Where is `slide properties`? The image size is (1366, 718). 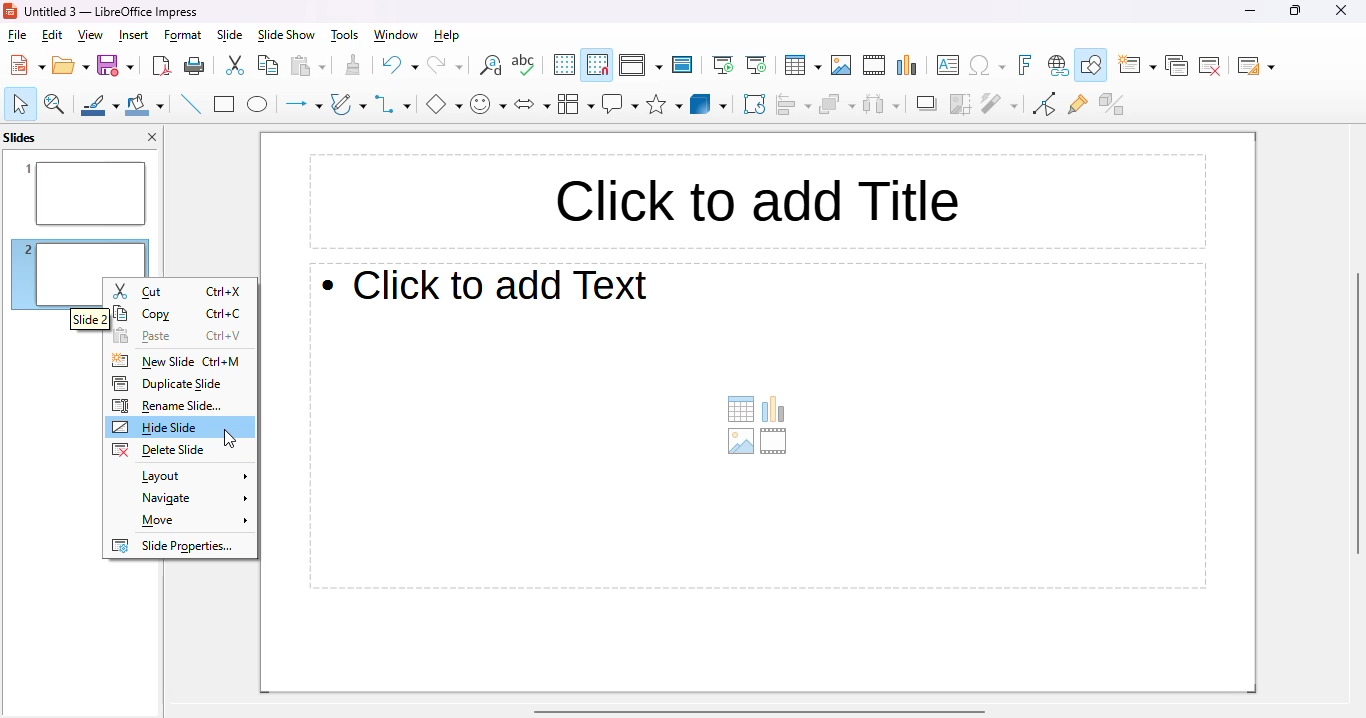
slide properties is located at coordinates (174, 545).